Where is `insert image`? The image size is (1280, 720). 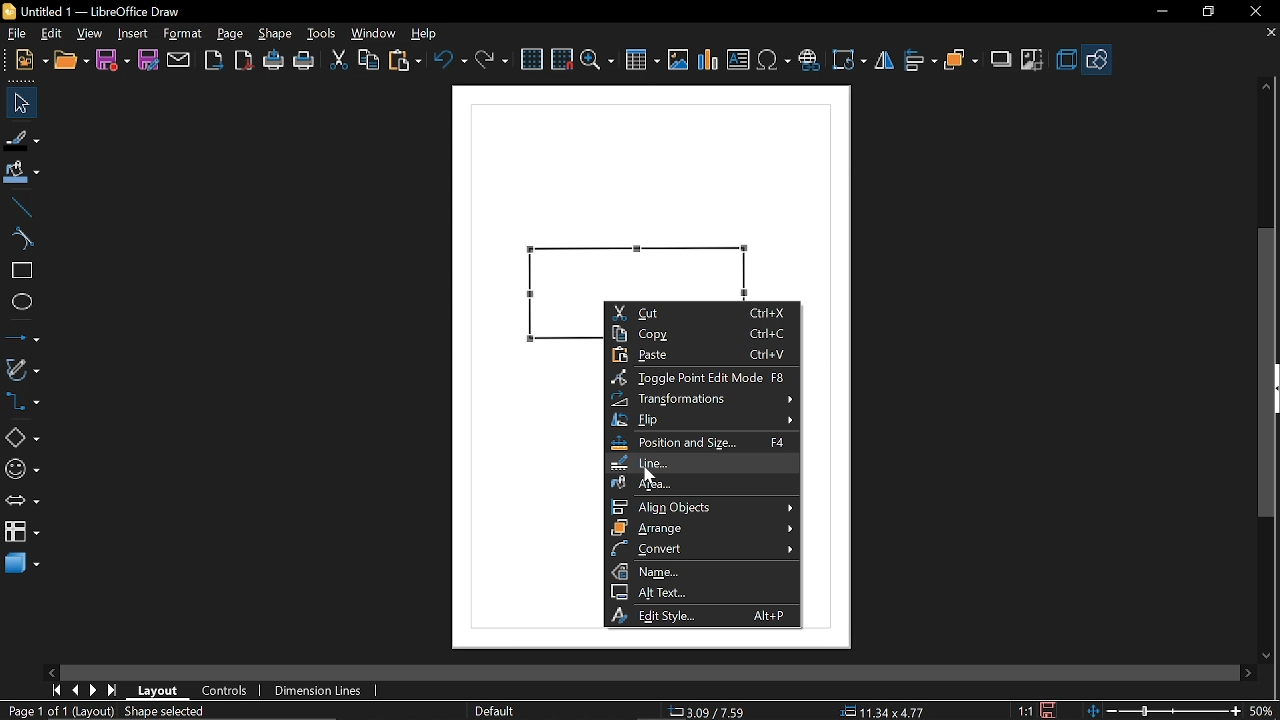
insert image is located at coordinates (677, 58).